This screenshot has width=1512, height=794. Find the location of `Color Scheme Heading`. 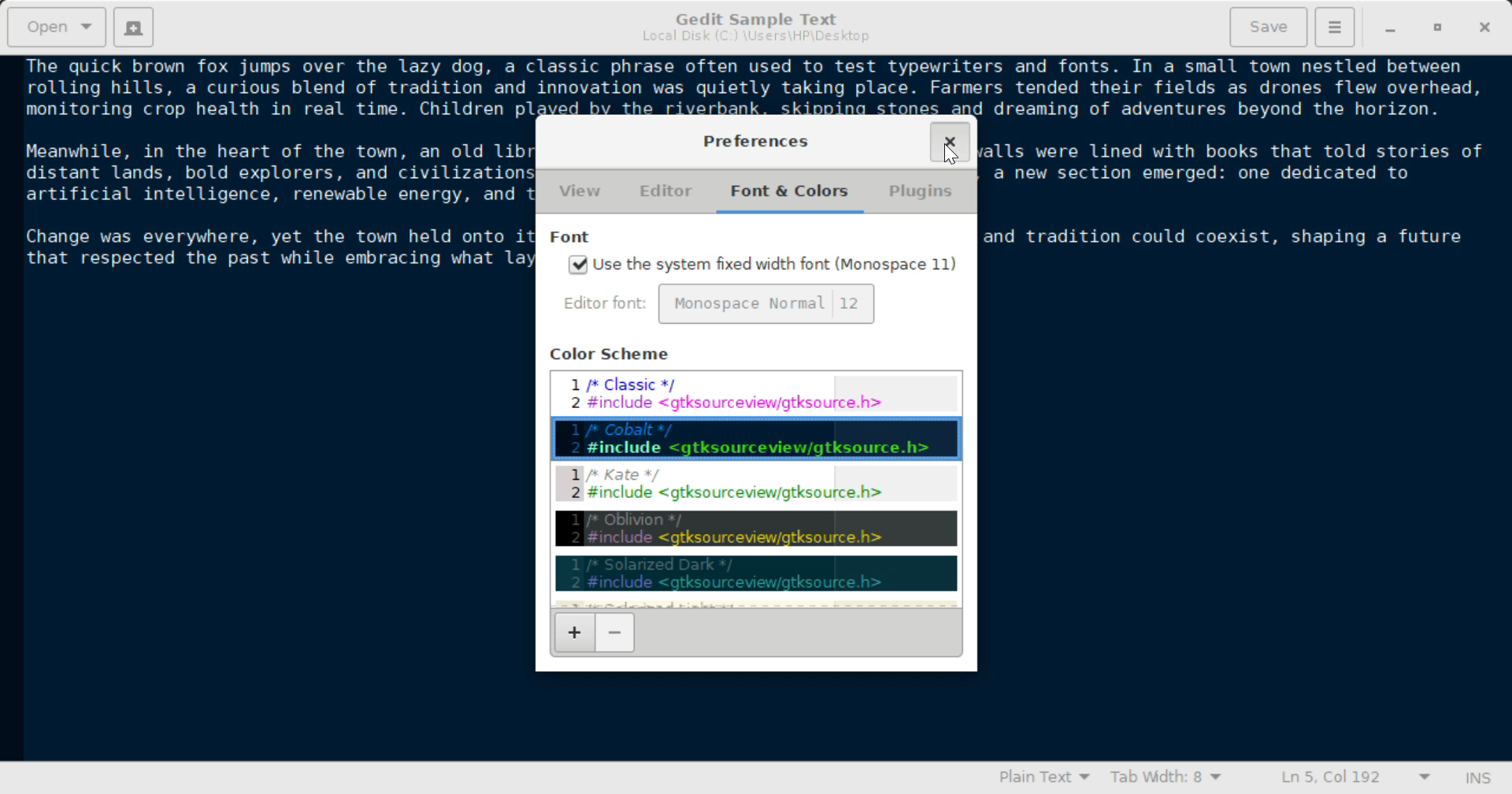

Color Scheme Heading is located at coordinates (613, 353).